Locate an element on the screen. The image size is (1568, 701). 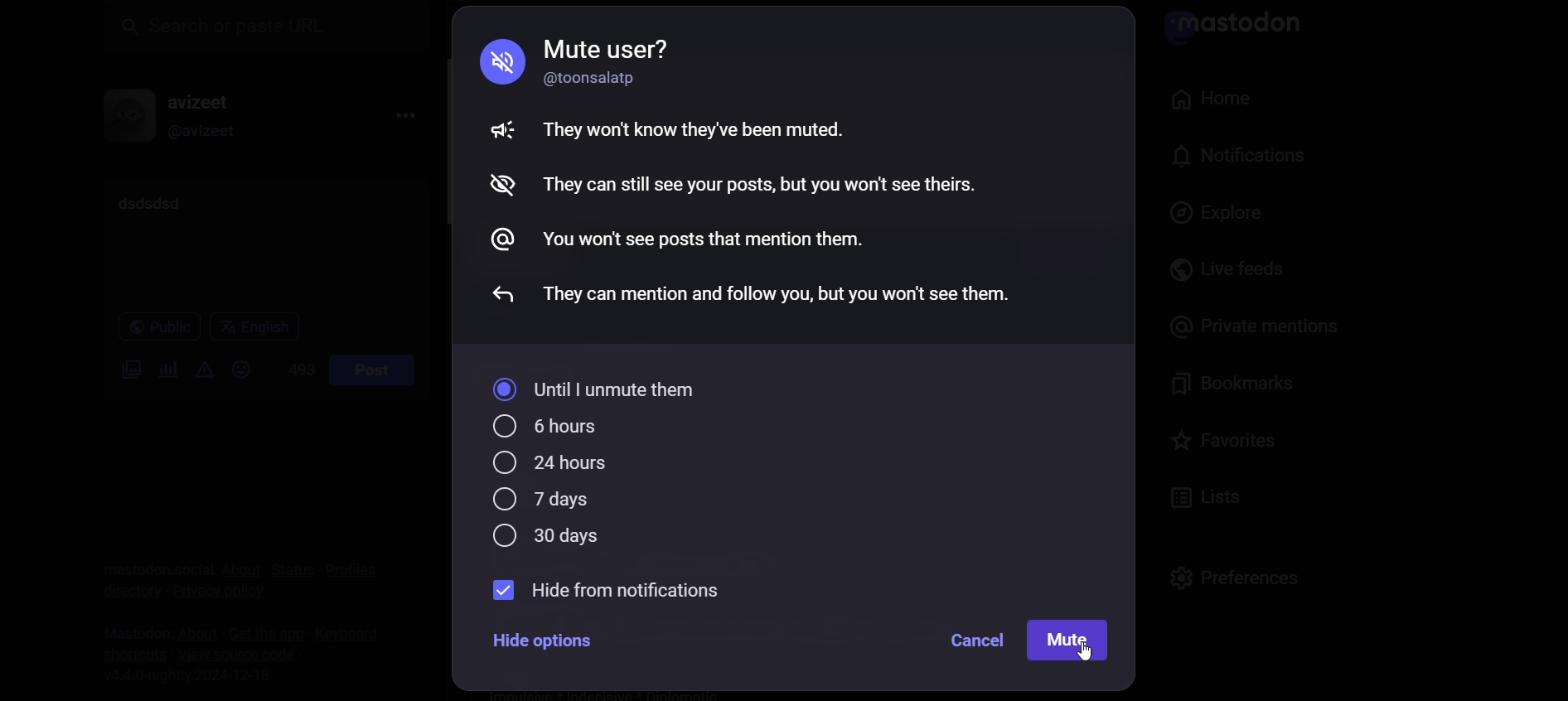
post is located at coordinates (372, 370).